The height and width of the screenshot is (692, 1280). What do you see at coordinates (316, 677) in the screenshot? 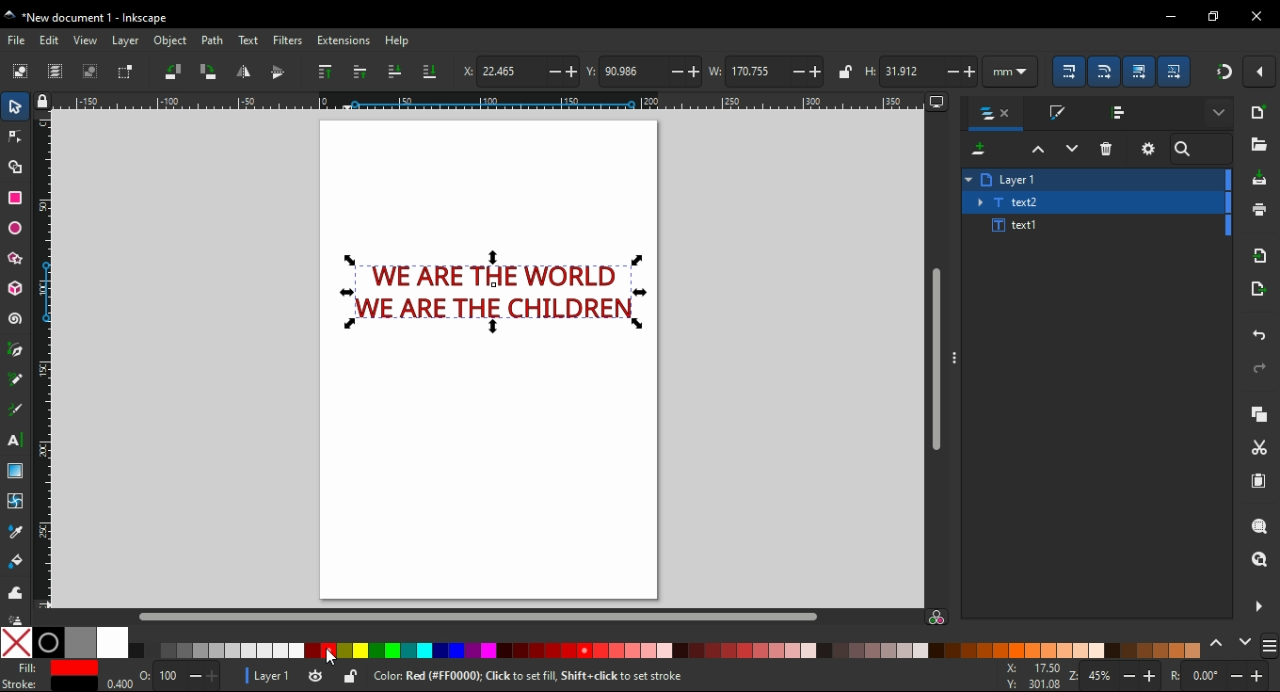
I see `layer visible` at bounding box center [316, 677].